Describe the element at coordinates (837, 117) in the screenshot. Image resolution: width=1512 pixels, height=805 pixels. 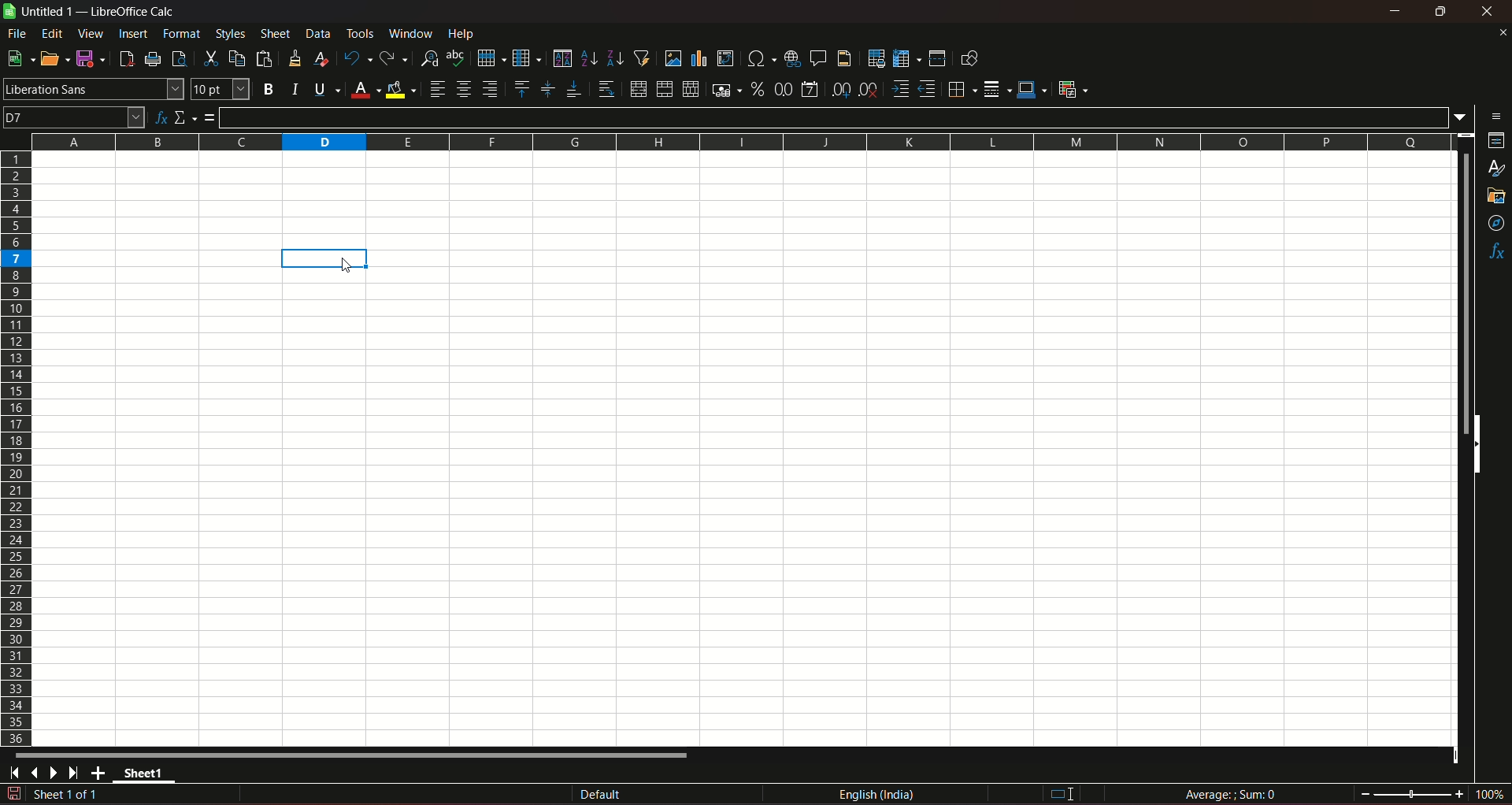
I see `input line` at that location.